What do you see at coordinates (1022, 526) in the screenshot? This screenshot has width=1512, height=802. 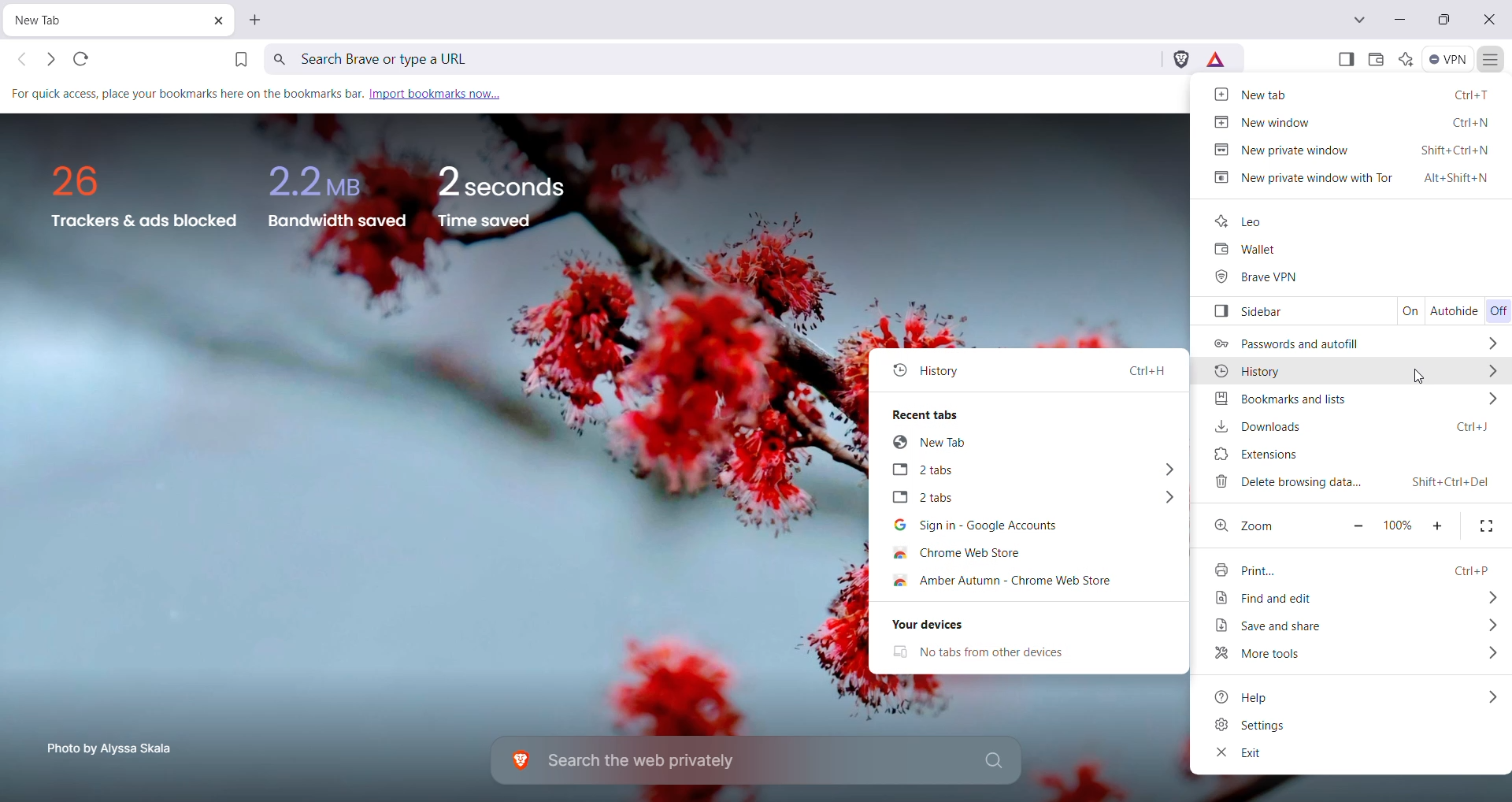 I see `Sign in - Google Accounts` at bounding box center [1022, 526].